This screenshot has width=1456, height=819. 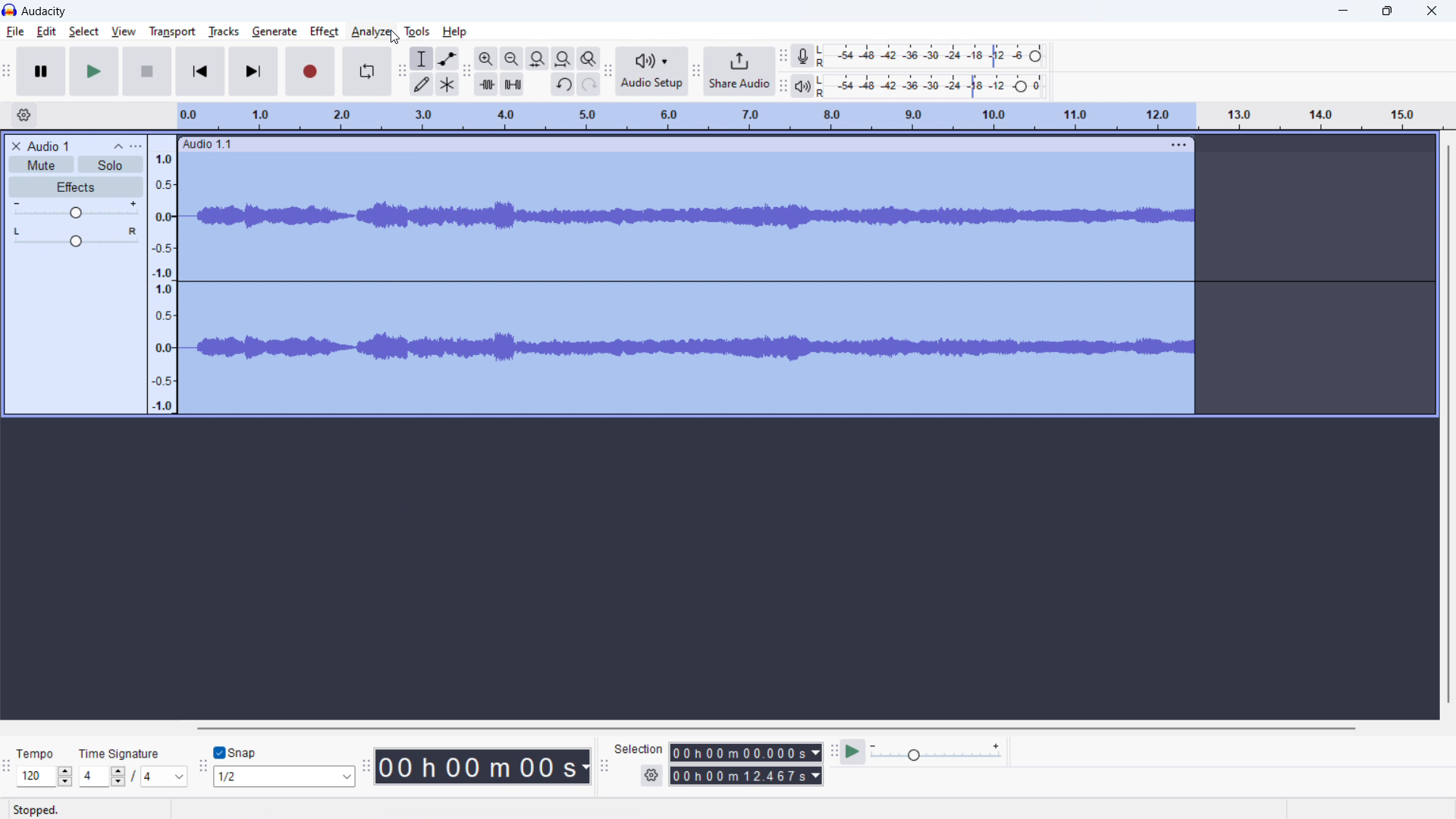 What do you see at coordinates (147, 71) in the screenshot?
I see `stop` at bounding box center [147, 71].